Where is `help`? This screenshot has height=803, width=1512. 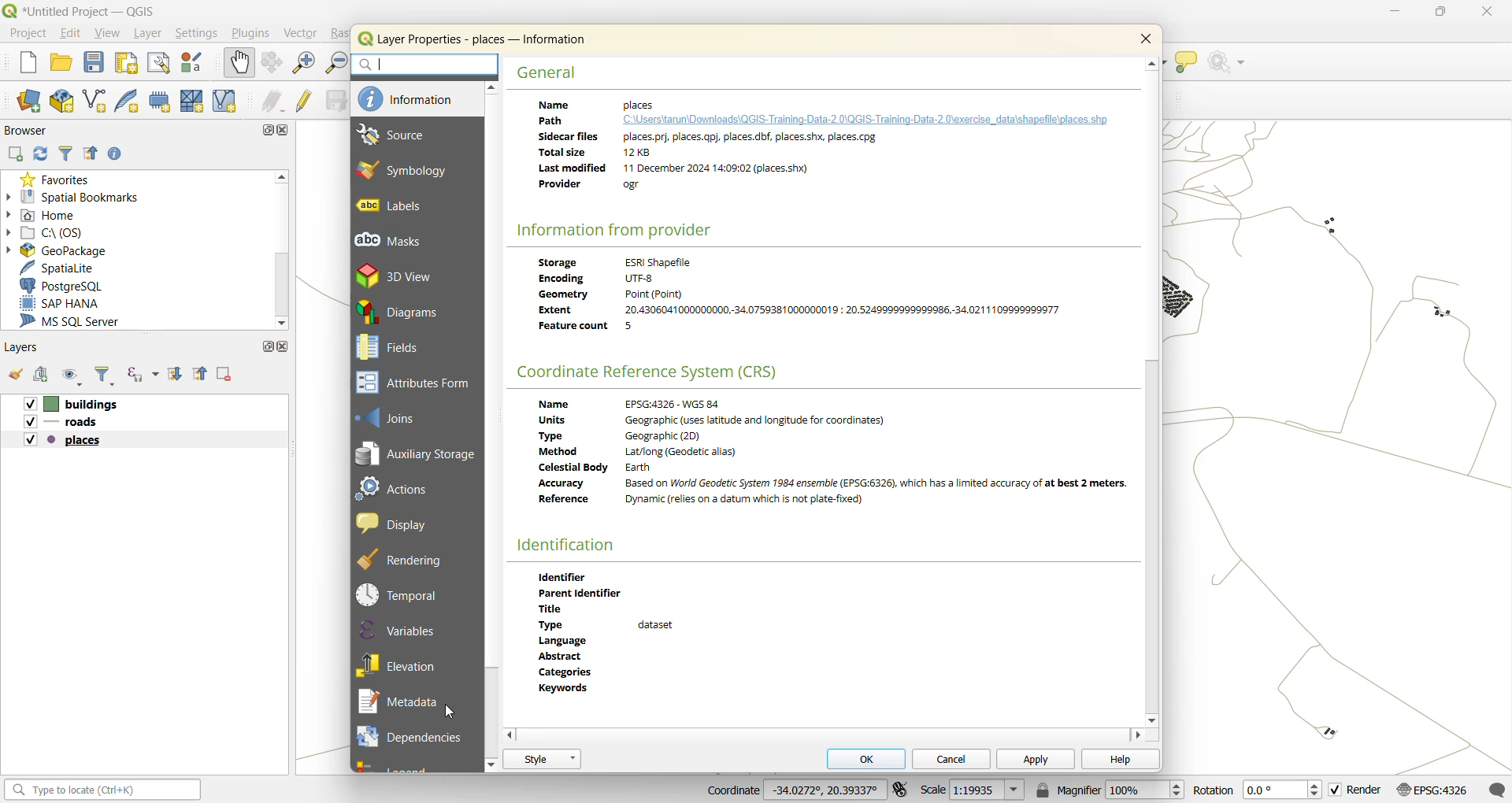
help is located at coordinates (1119, 759).